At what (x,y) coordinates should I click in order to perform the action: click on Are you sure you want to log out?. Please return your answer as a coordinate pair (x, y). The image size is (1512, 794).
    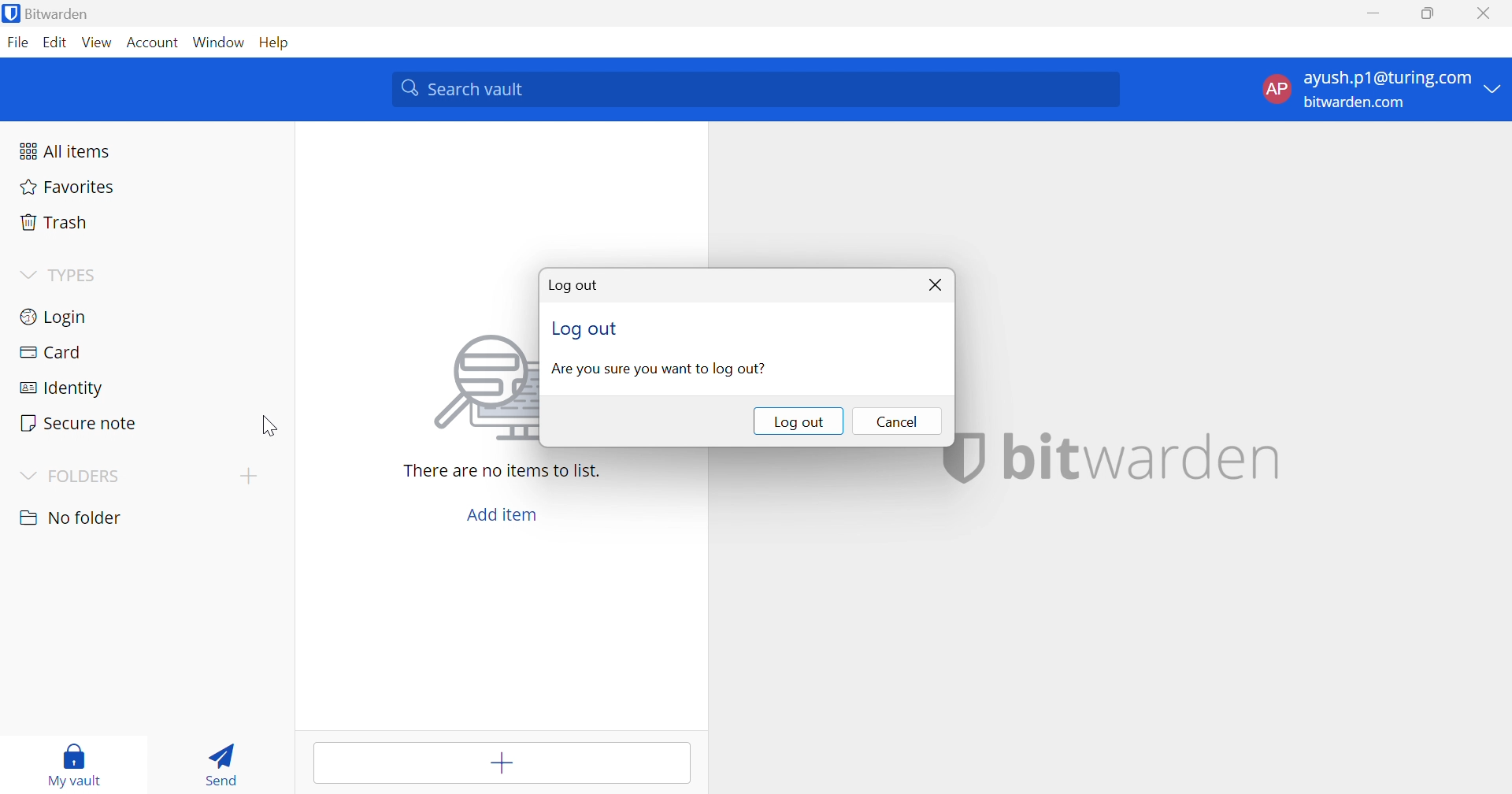
    Looking at the image, I should click on (658, 369).